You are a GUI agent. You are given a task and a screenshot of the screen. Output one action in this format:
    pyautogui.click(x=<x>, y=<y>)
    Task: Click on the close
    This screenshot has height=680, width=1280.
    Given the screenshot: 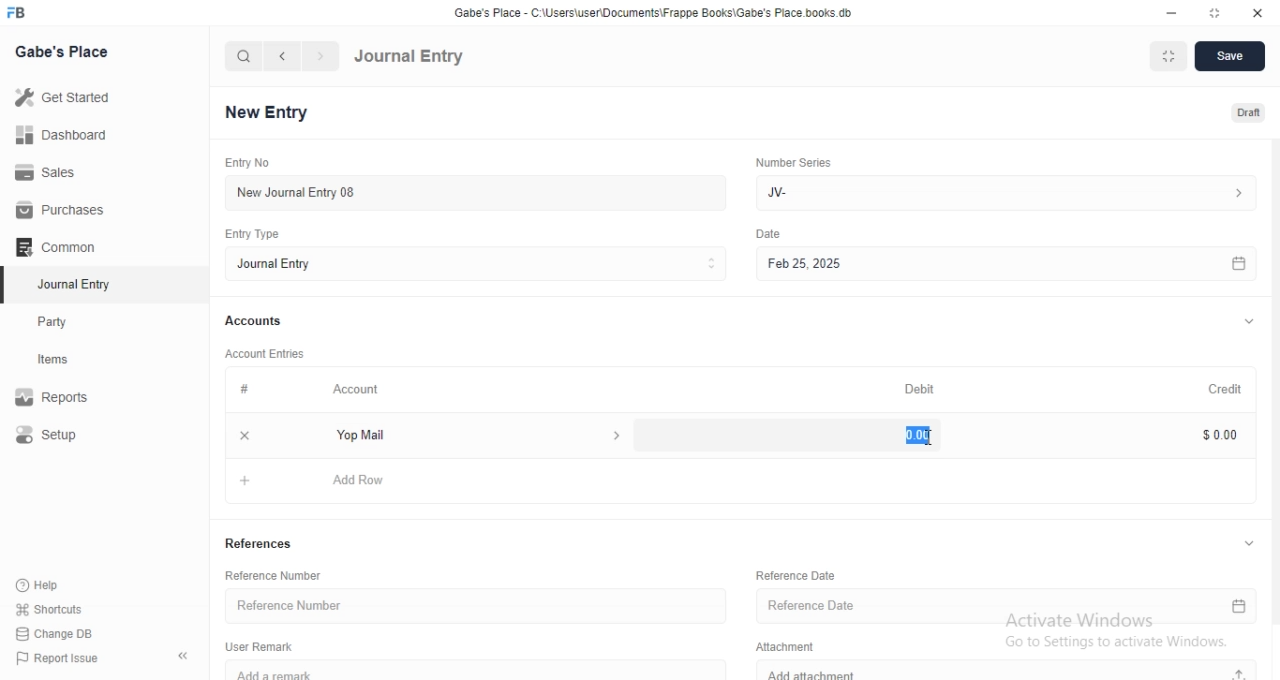 What is the action you would take?
    pyautogui.click(x=245, y=435)
    